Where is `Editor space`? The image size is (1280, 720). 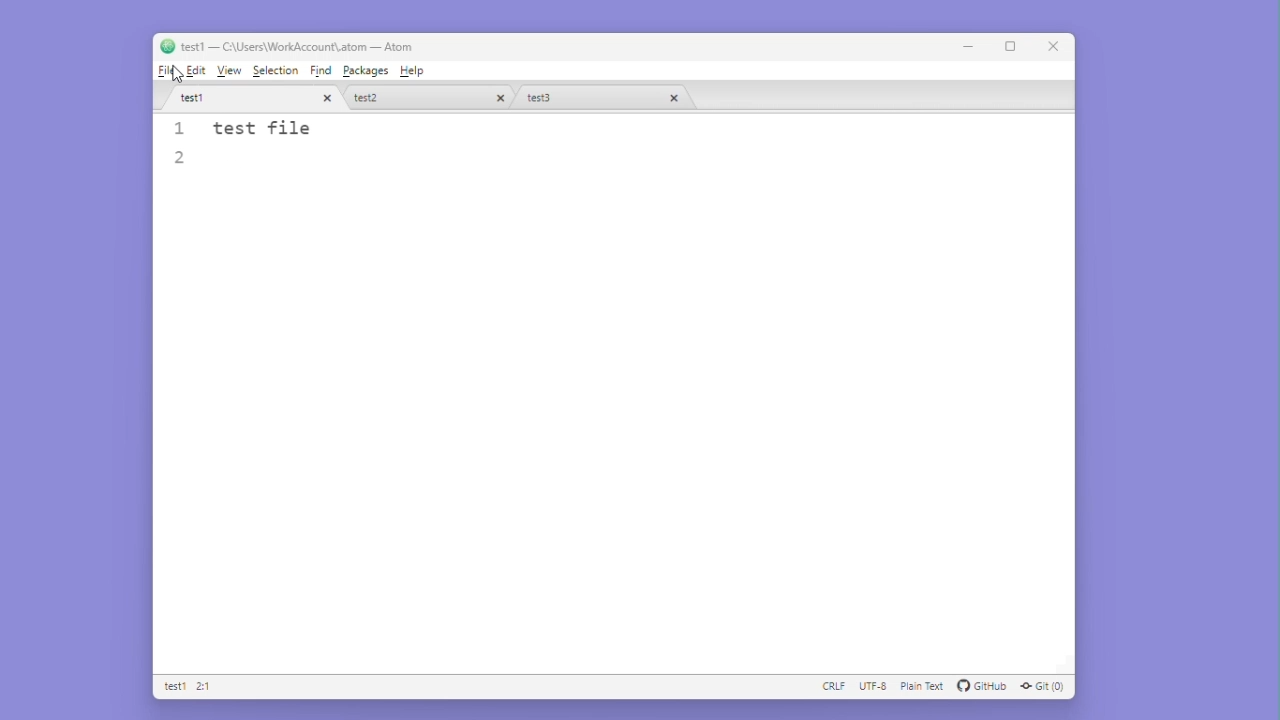
Editor space is located at coordinates (621, 429).